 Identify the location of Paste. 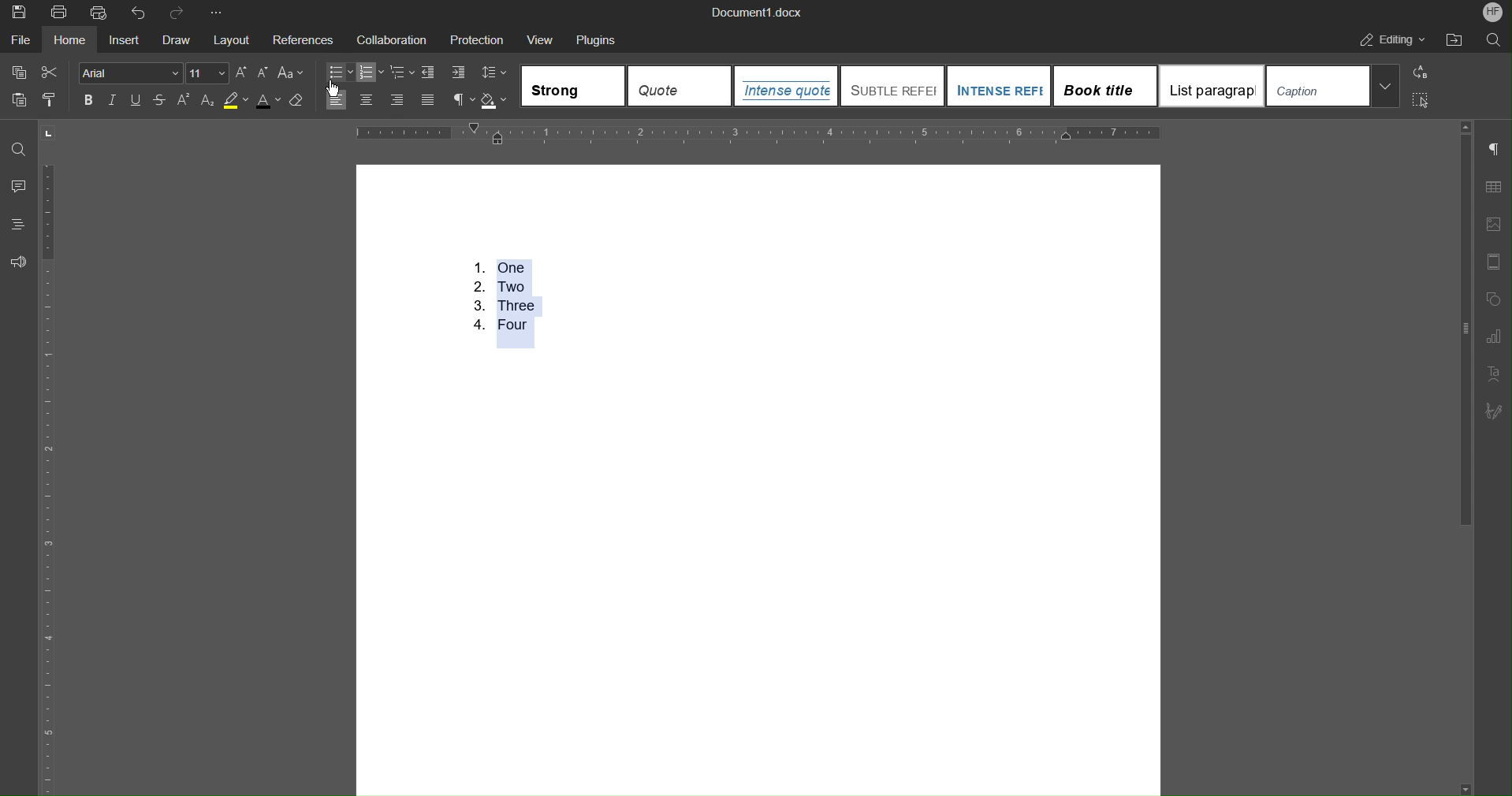
(17, 99).